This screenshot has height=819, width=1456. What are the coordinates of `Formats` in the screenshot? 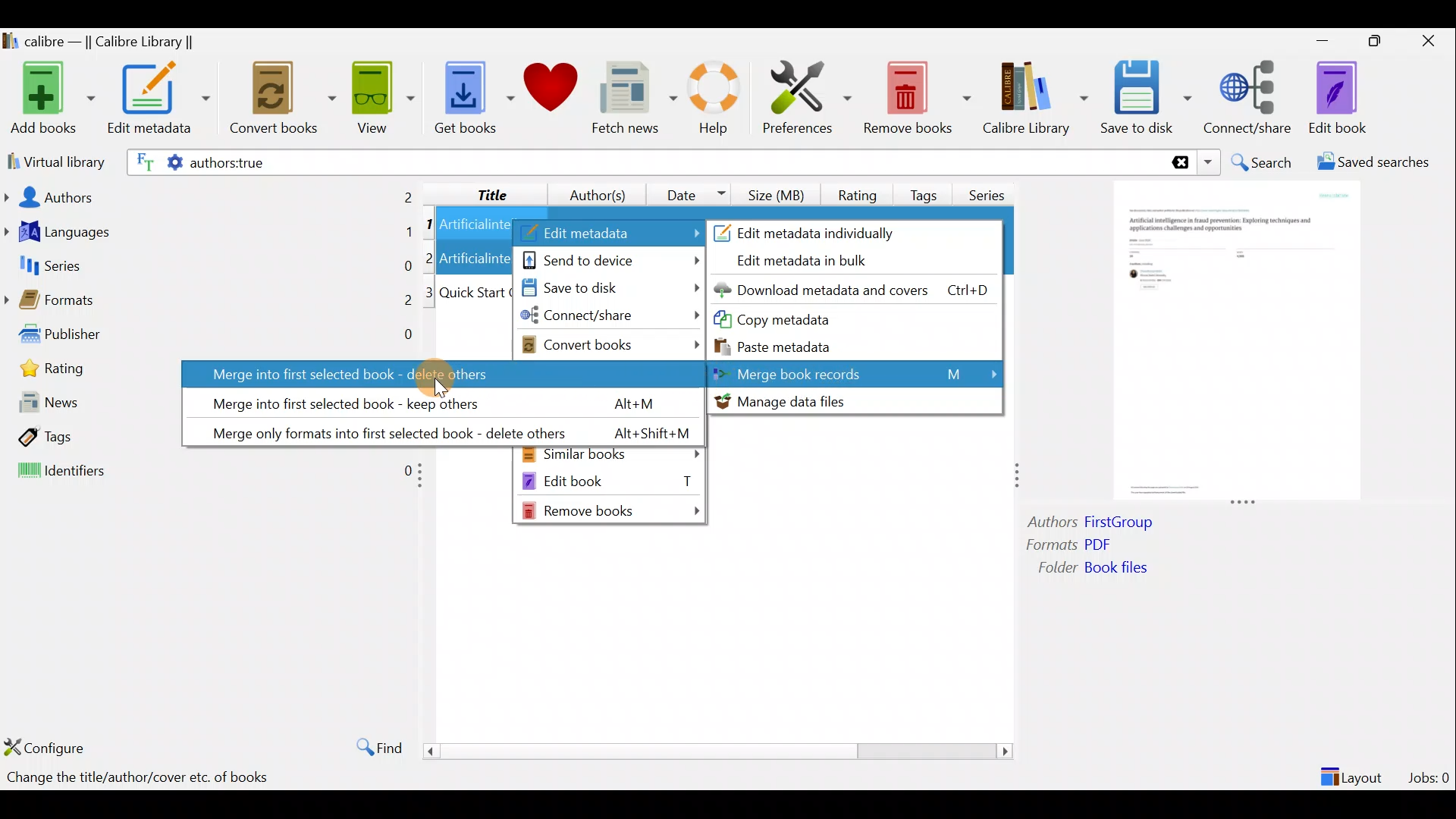 It's located at (209, 304).